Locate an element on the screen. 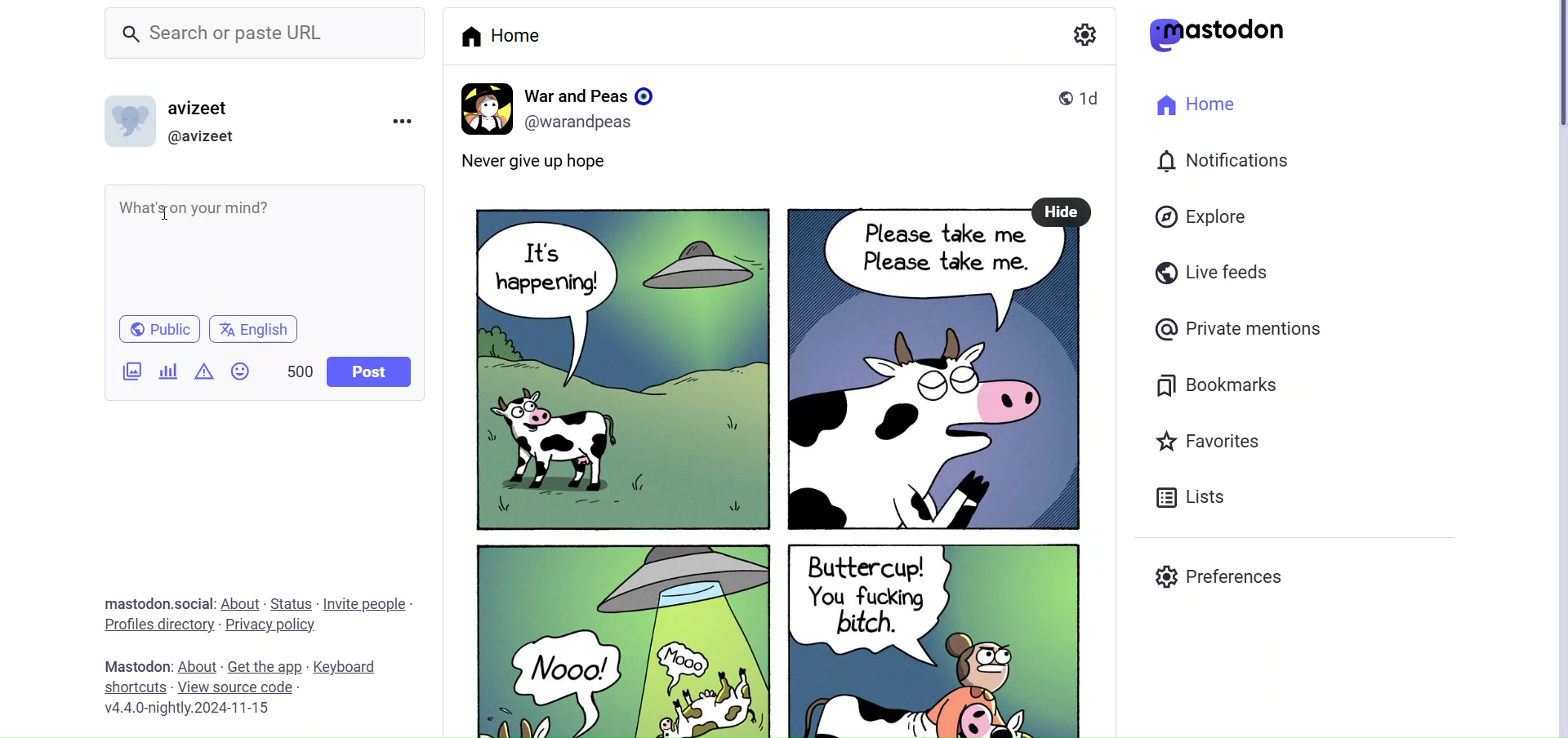 Image resolution: width=1568 pixels, height=738 pixels. (@warandpeas is located at coordinates (585, 122).